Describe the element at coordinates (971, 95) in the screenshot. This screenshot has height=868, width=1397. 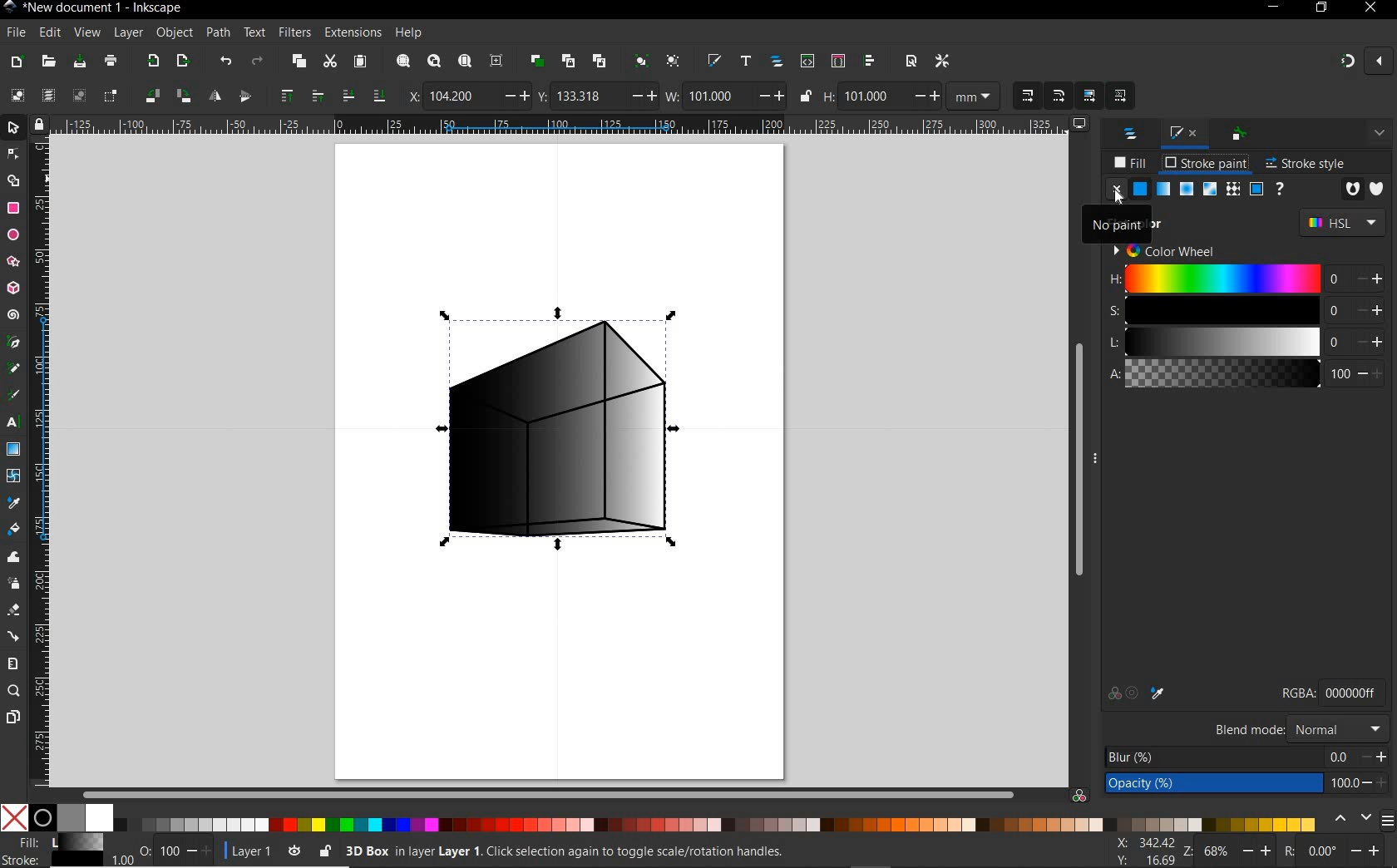
I see `MEASUREMENT` at that location.